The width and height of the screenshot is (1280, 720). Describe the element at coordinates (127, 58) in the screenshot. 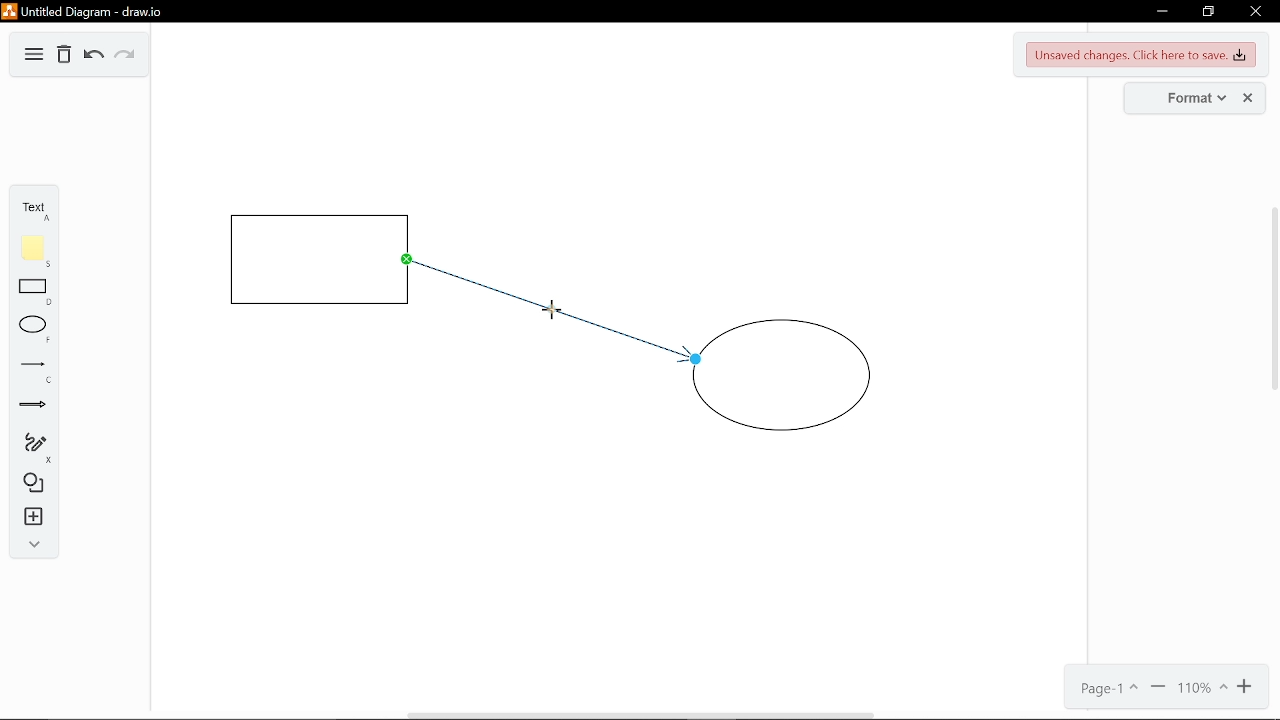

I see `Redo` at that location.